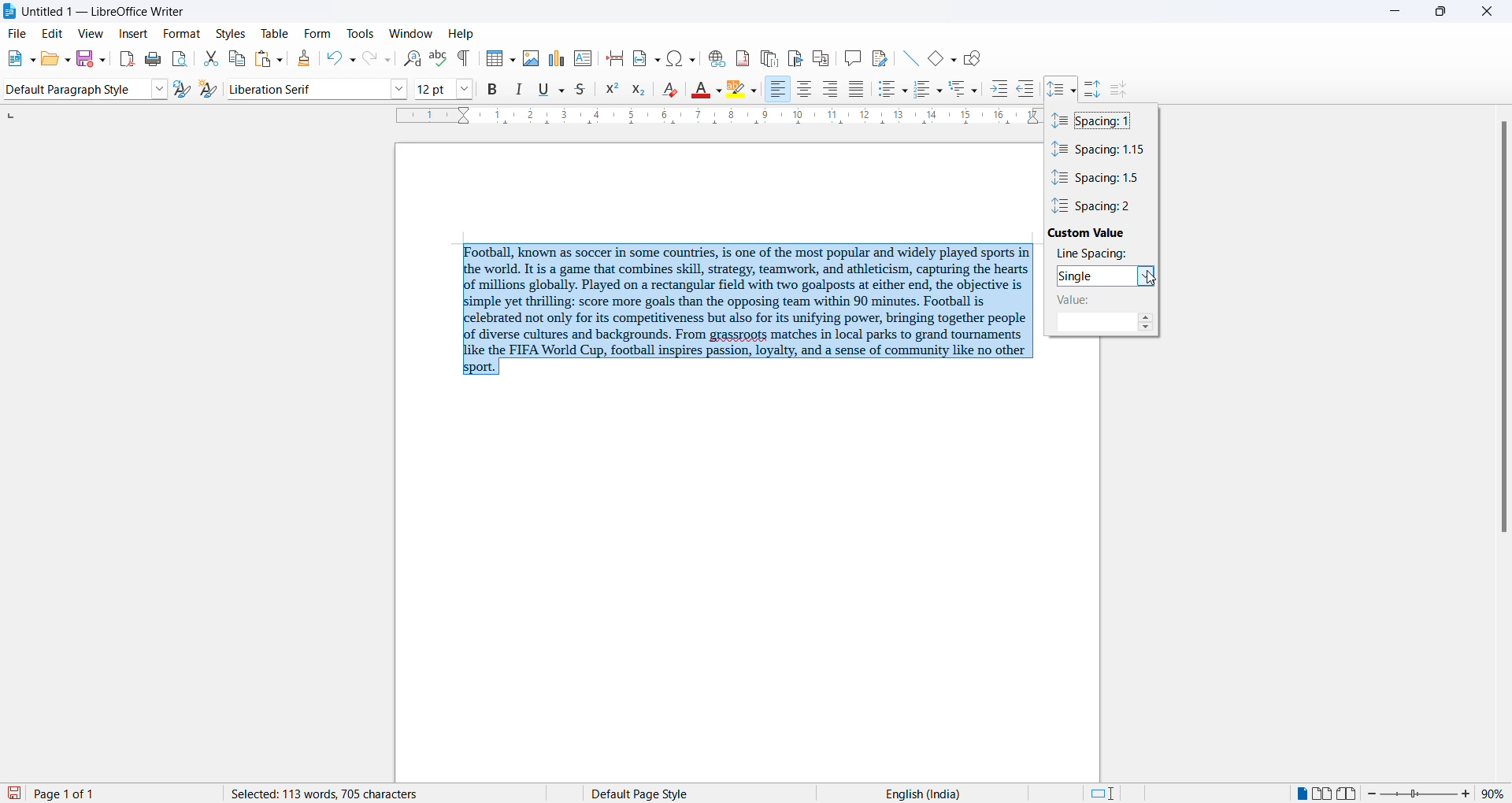  Describe the element at coordinates (182, 58) in the screenshot. I see `print preview` at that location.